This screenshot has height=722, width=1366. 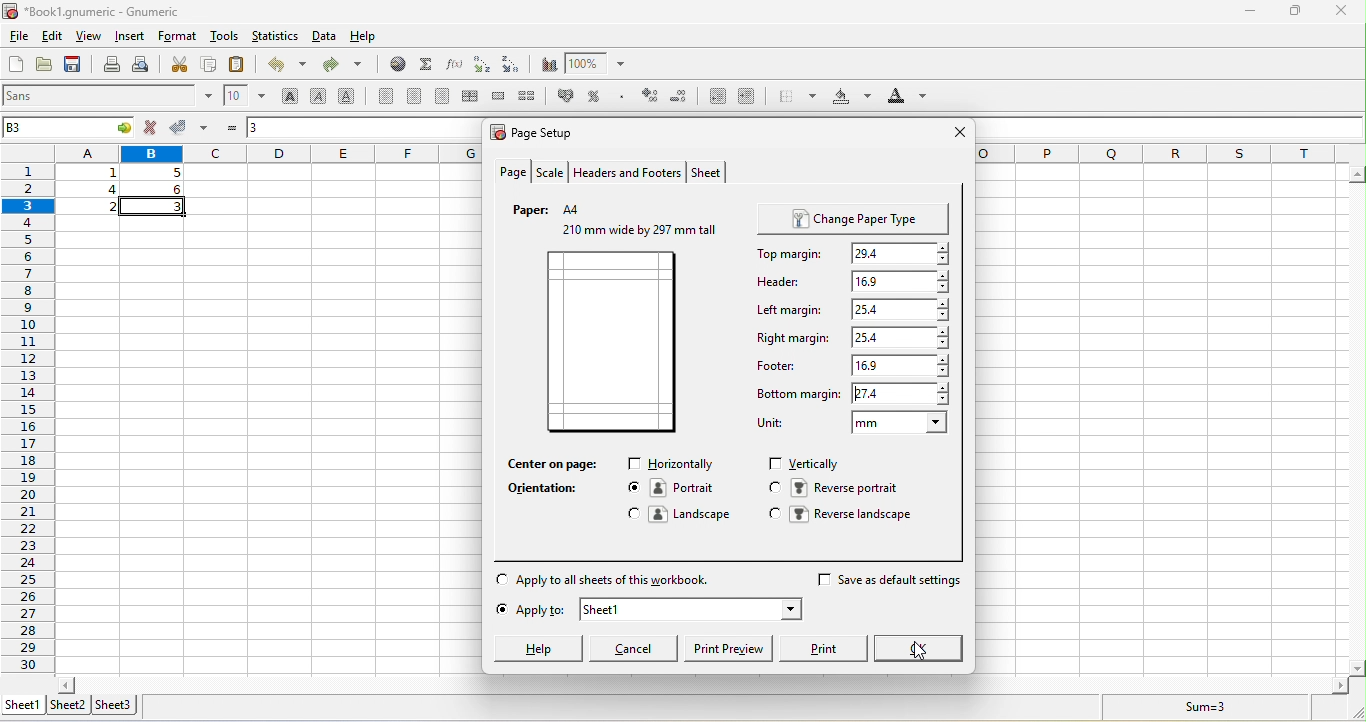 I want to click on merge a range of cells, so click(x=502, y=98).